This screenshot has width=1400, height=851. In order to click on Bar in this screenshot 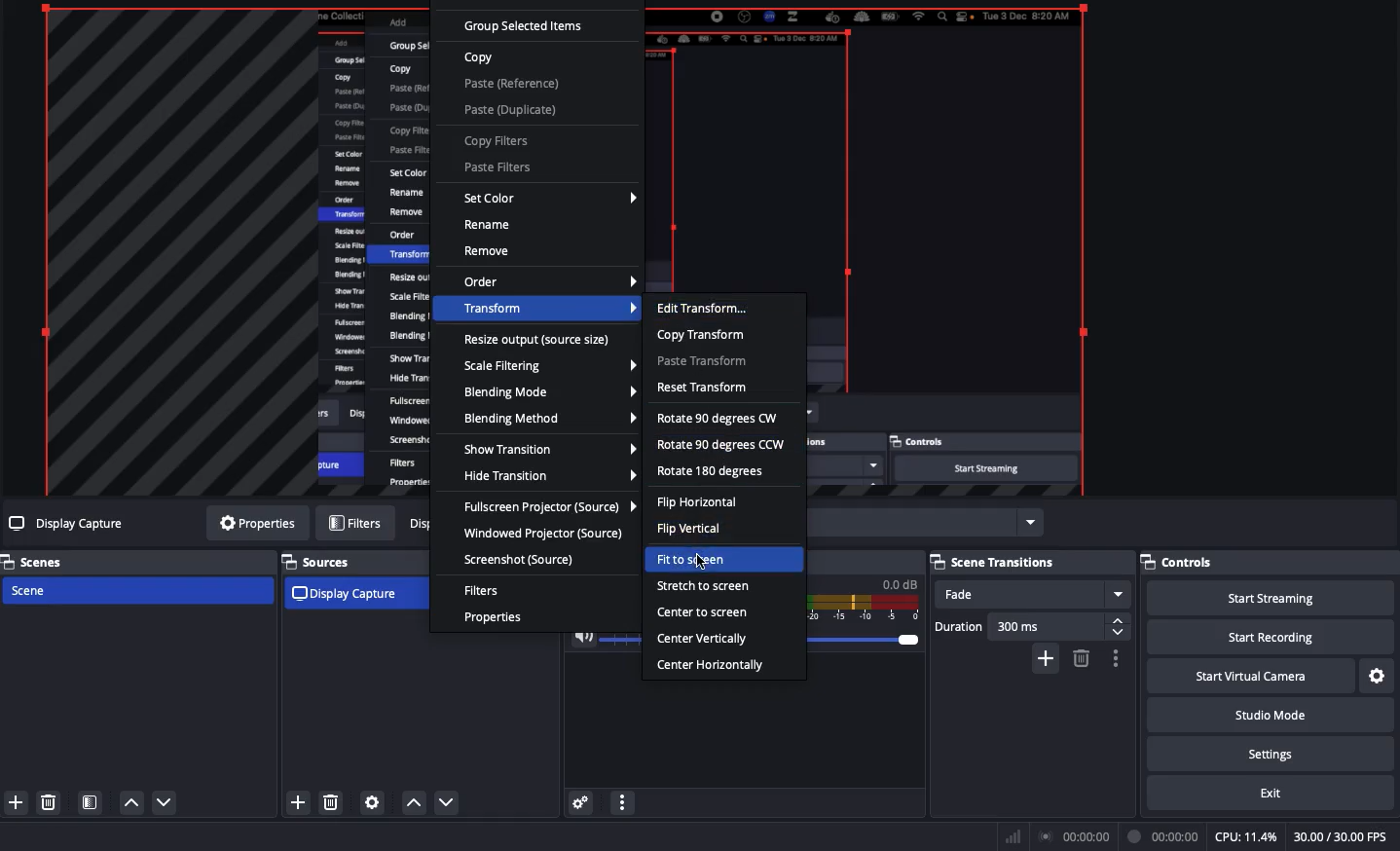, I will do `click(1011, 836)`.